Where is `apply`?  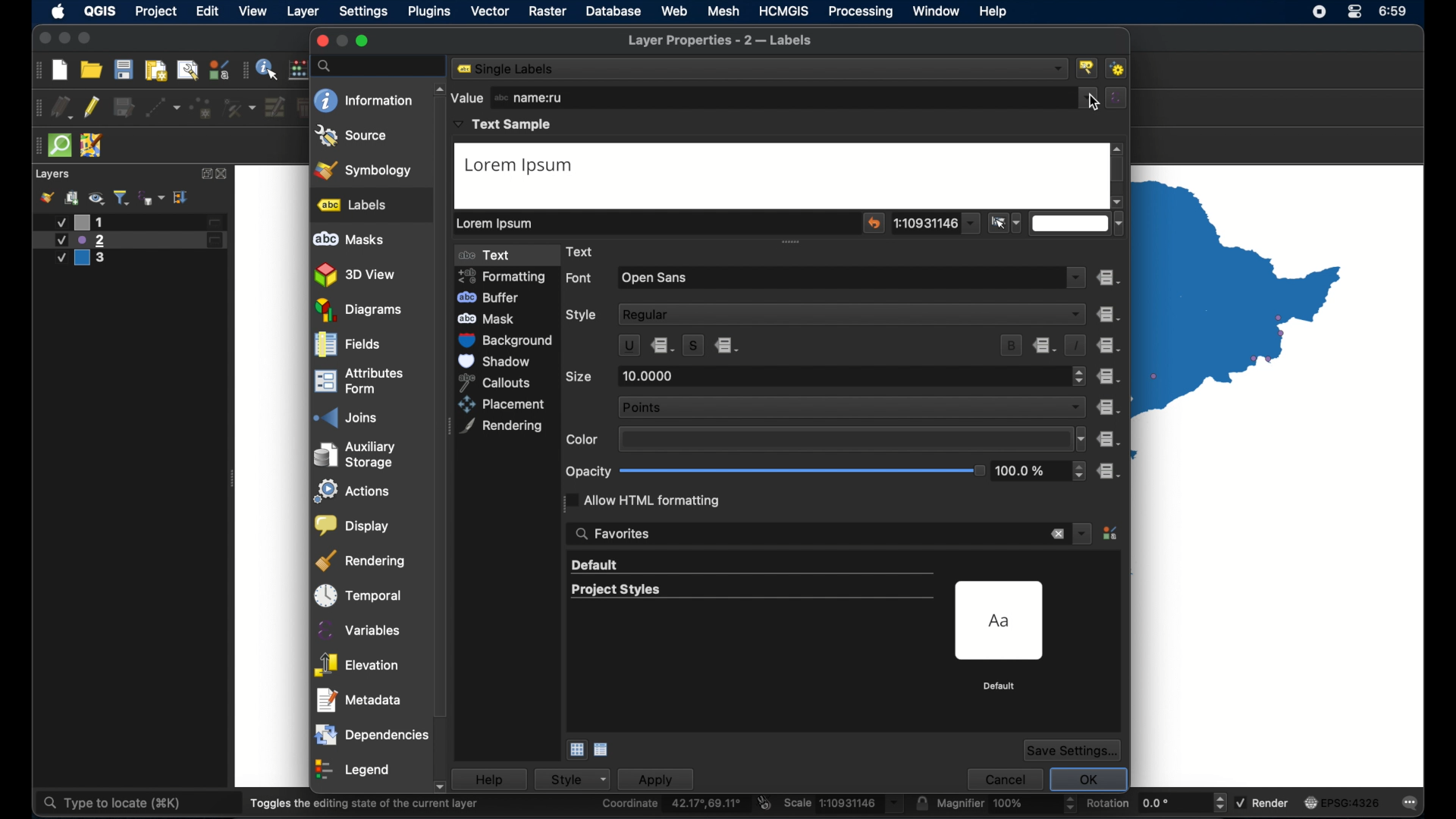
apply is located at coordinates (664, 779).